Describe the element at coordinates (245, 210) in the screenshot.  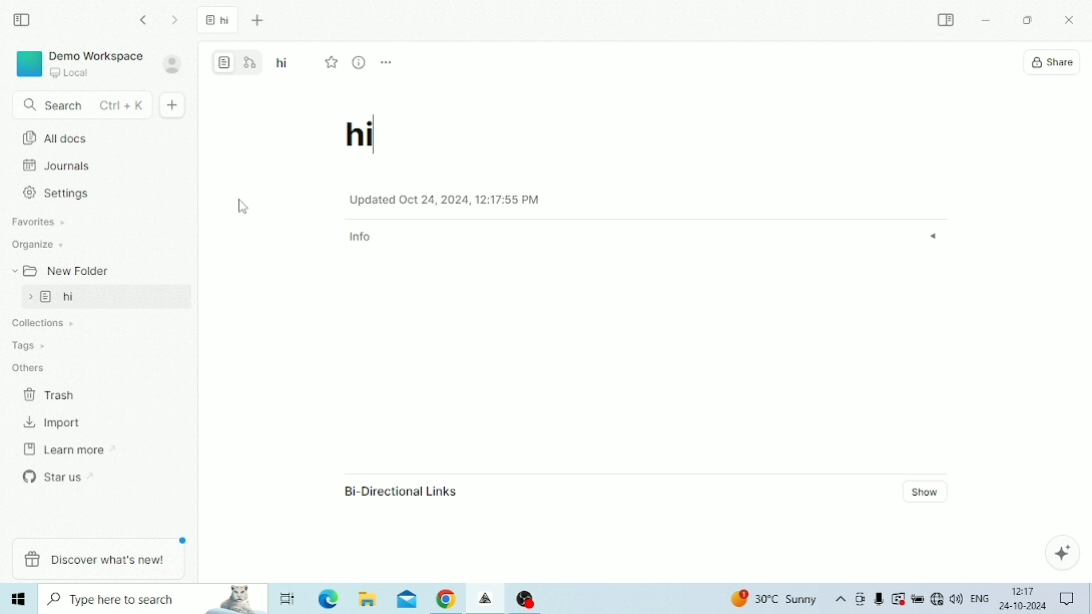
I see `Cursor` at that location.